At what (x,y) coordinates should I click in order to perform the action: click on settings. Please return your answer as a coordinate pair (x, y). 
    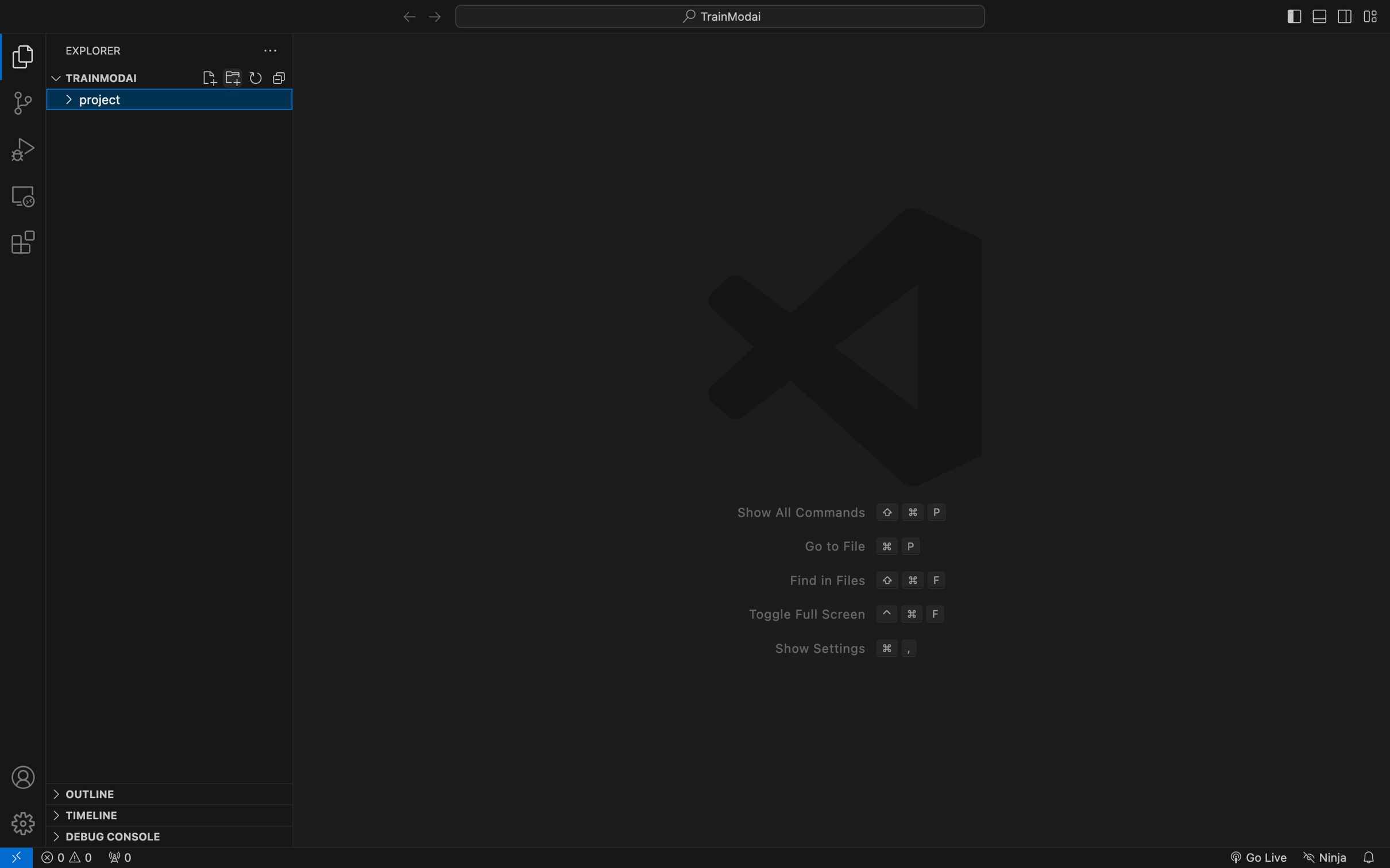
    Looking at the image, I should click on (26, 821).